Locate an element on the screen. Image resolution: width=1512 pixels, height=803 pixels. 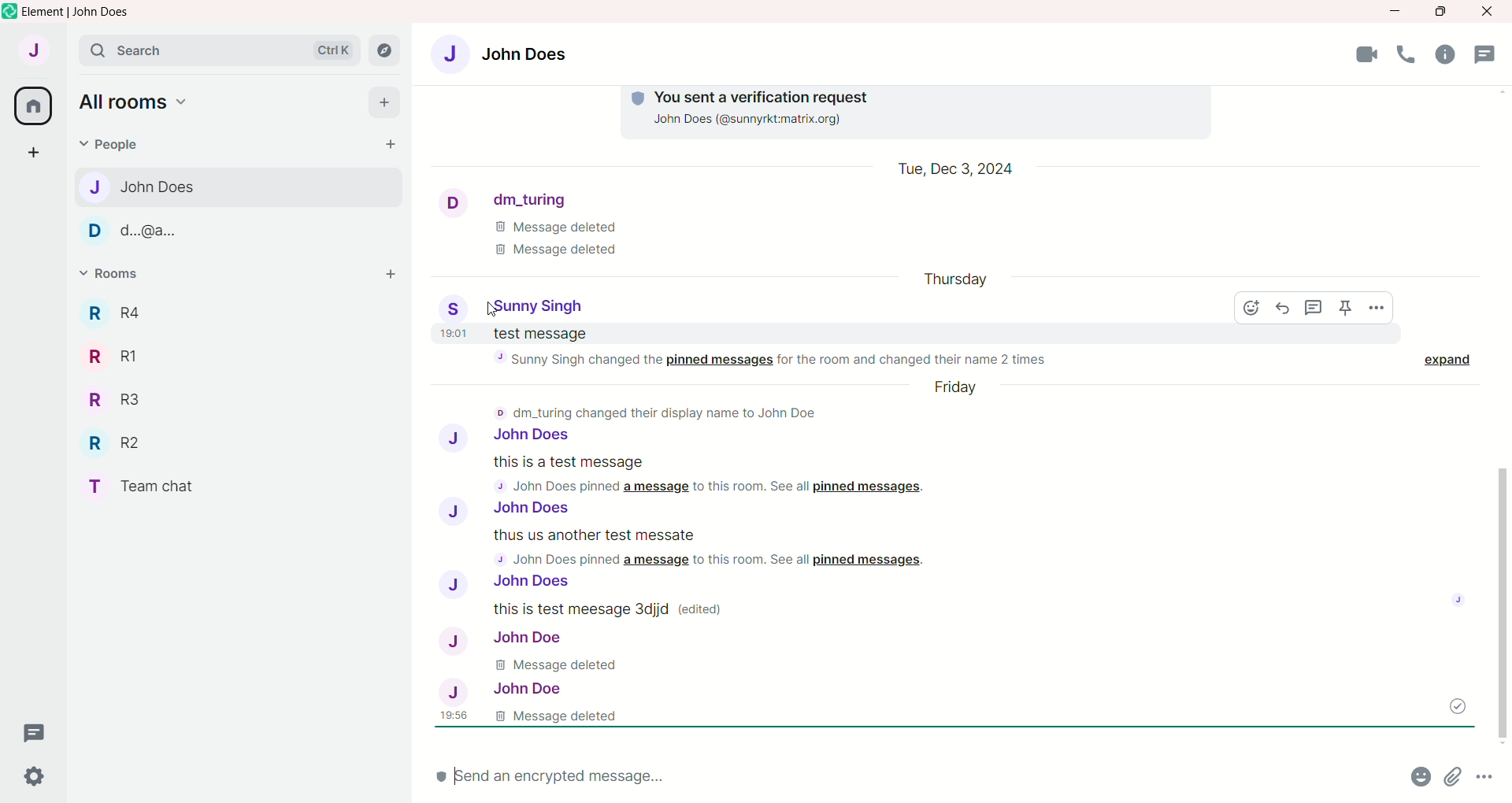
room info is located at coordinates (1449, 51).